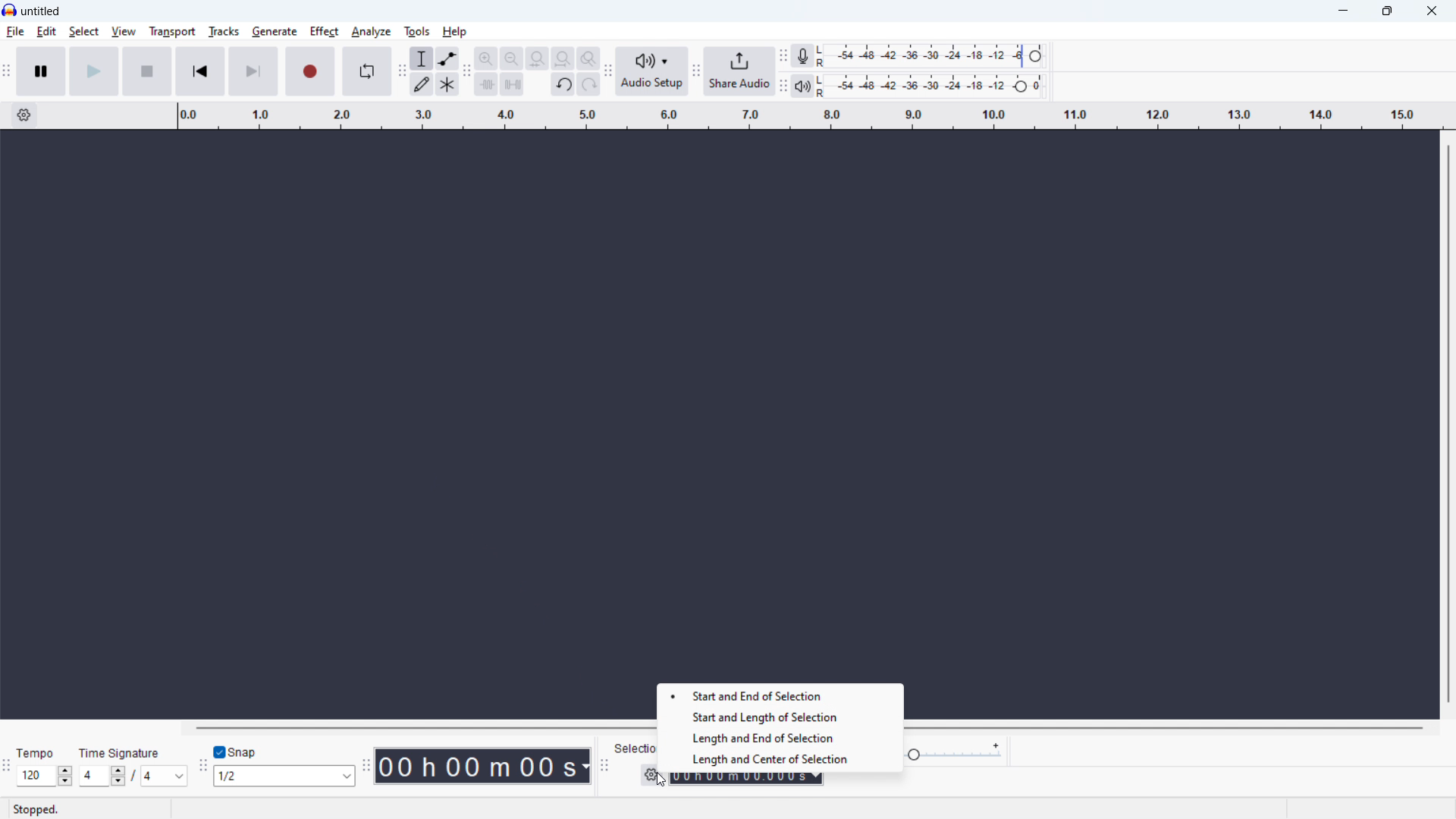 This screenshot has height=819, width=1456. I want to click on horizontal scrollbar, so click(421, 726).